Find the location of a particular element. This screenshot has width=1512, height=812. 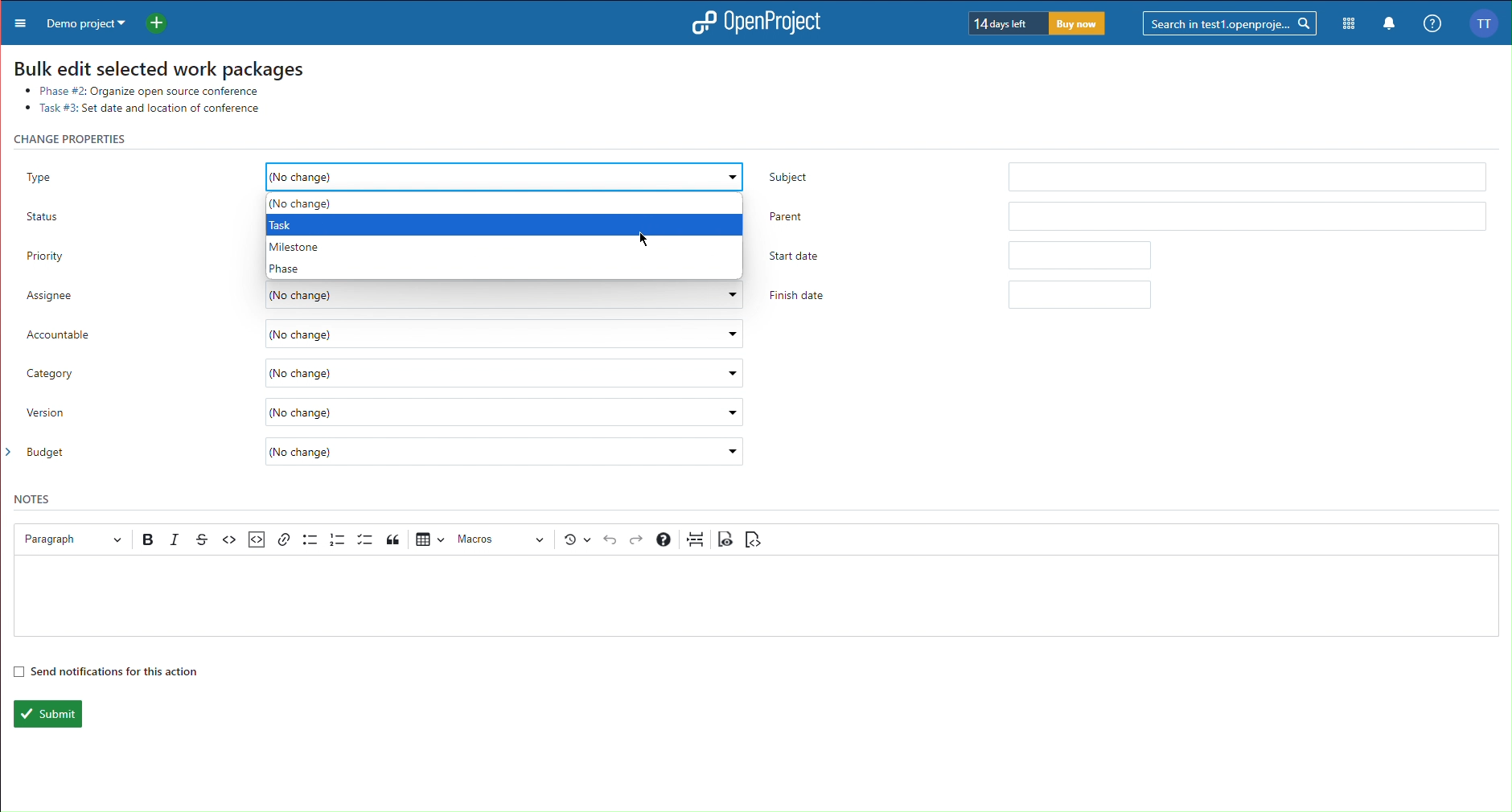

OpenProject is located at coordinates (751, 24).